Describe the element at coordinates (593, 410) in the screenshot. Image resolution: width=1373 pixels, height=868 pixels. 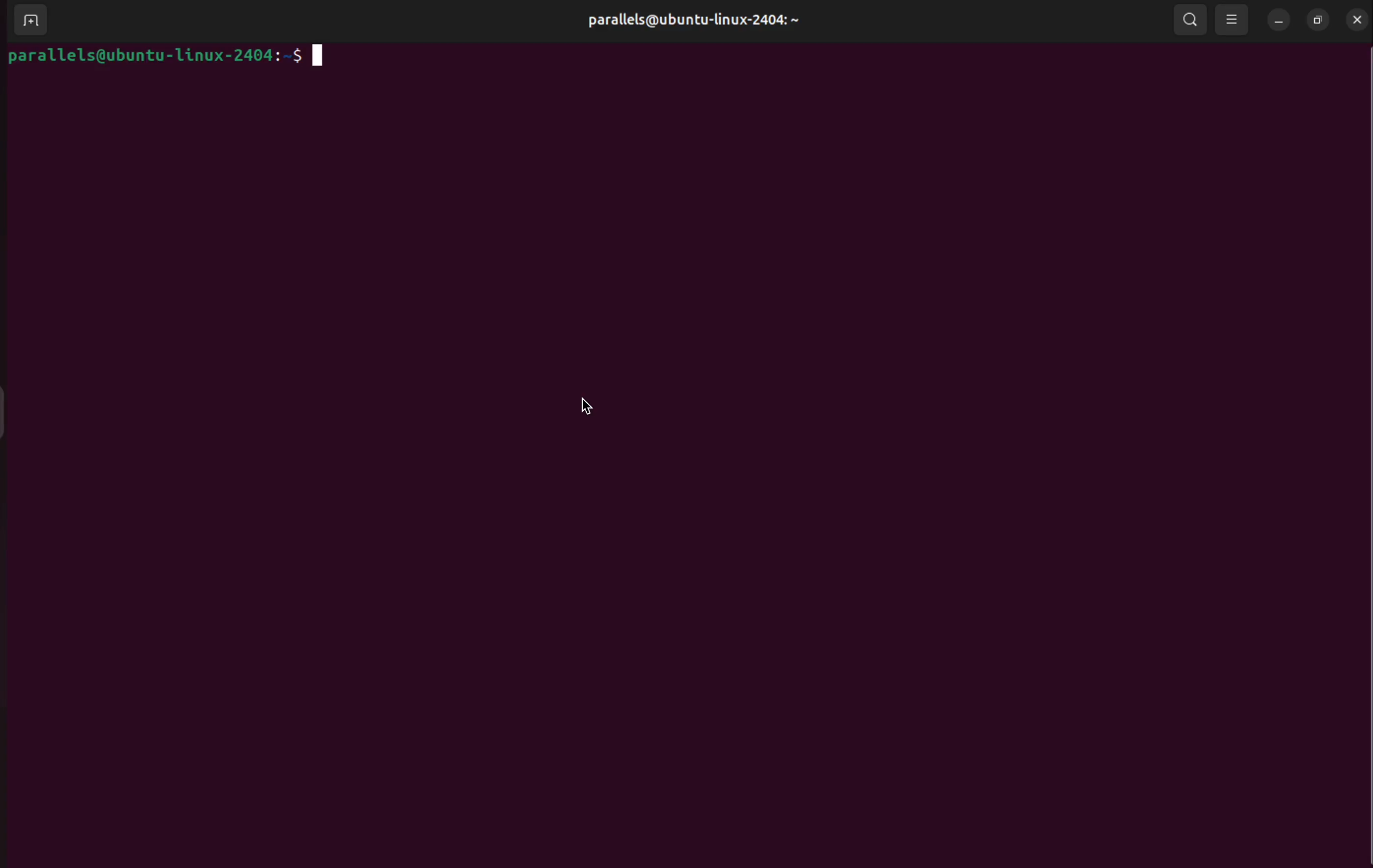
I see `cursor` at that location.